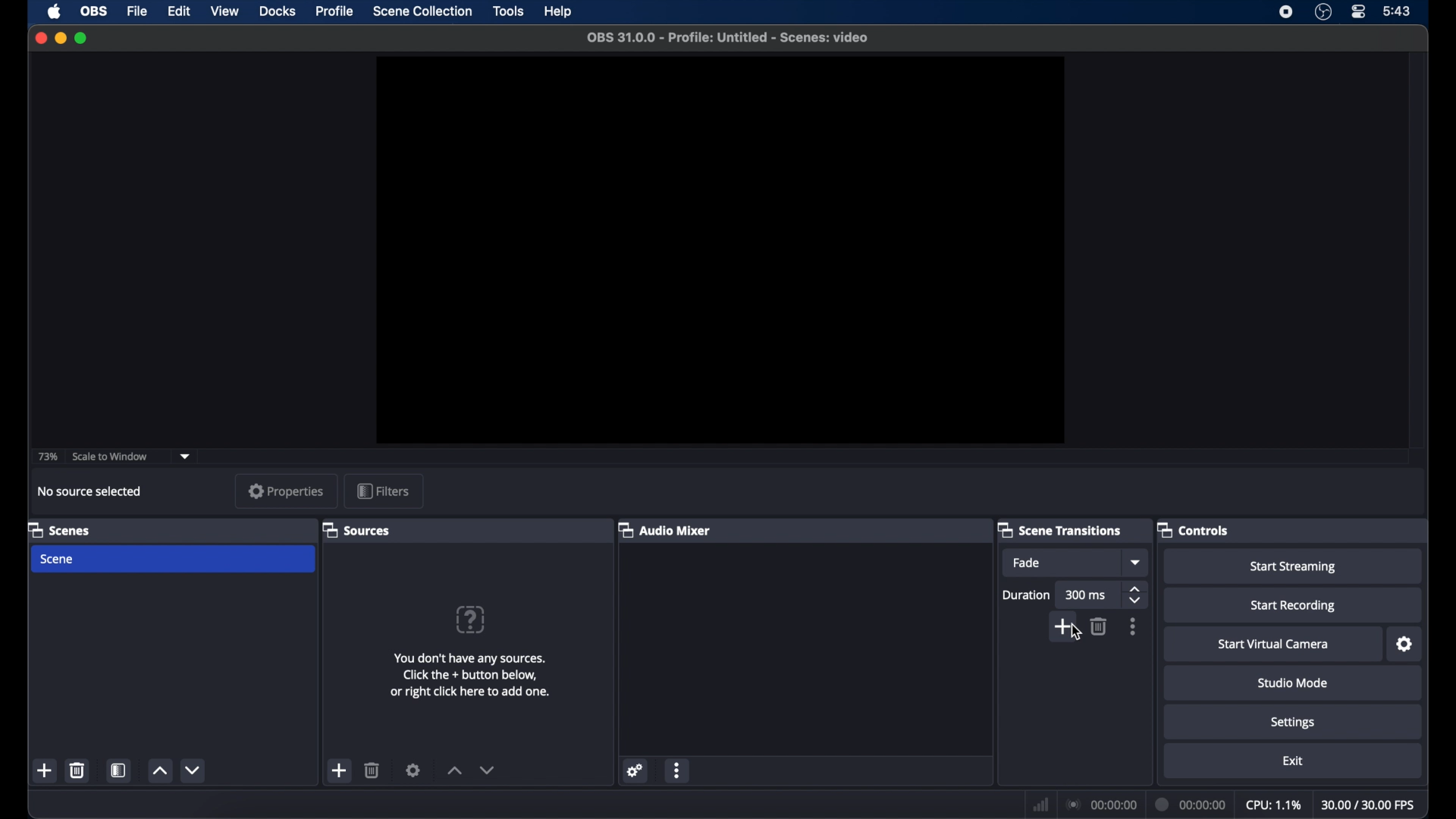  I want to click on scene collection, so click(423, 11).